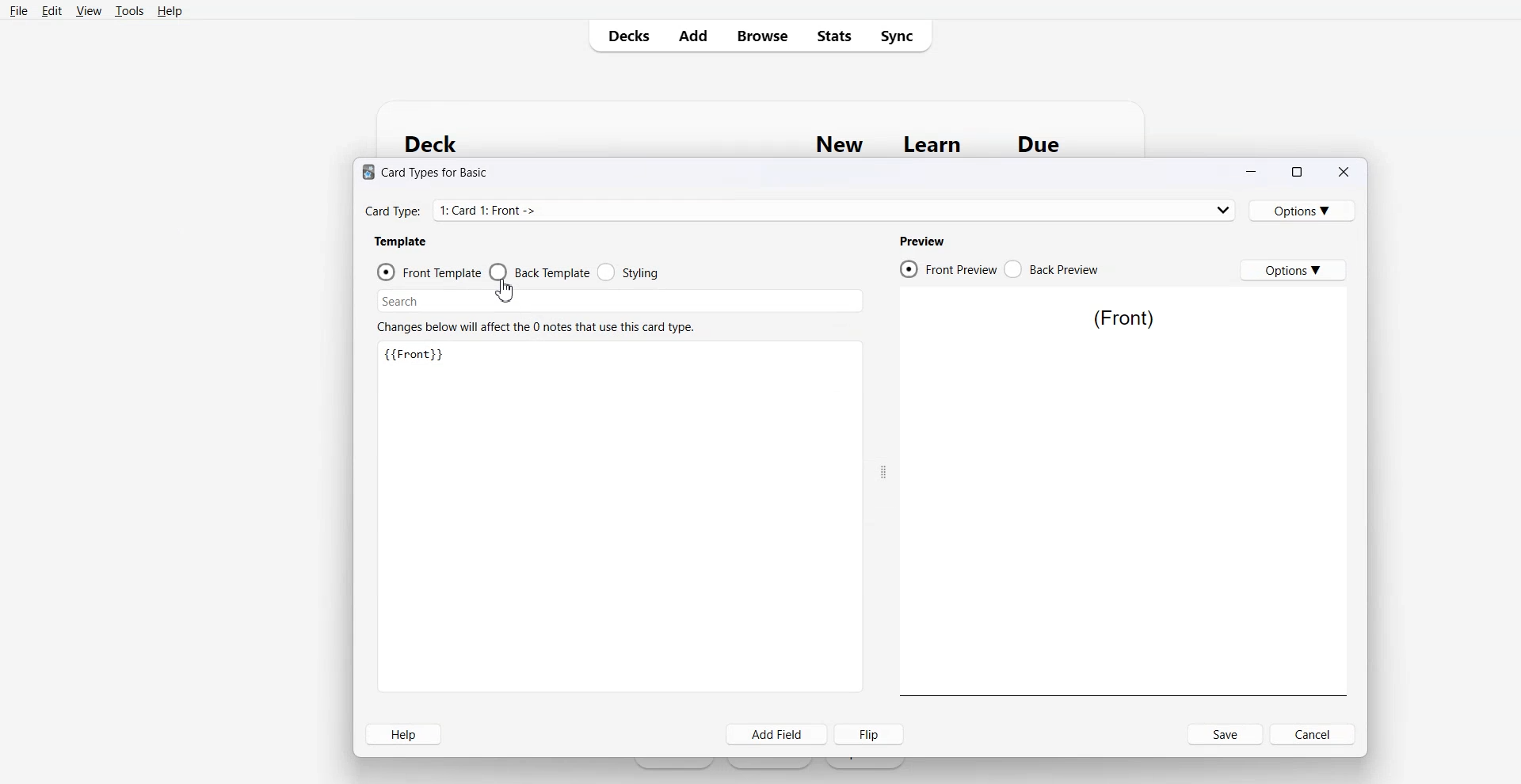 The image size is (1521, 784). Describe the element at coordinates (510, 290) in the screenshot. I see `cursor` at that location.